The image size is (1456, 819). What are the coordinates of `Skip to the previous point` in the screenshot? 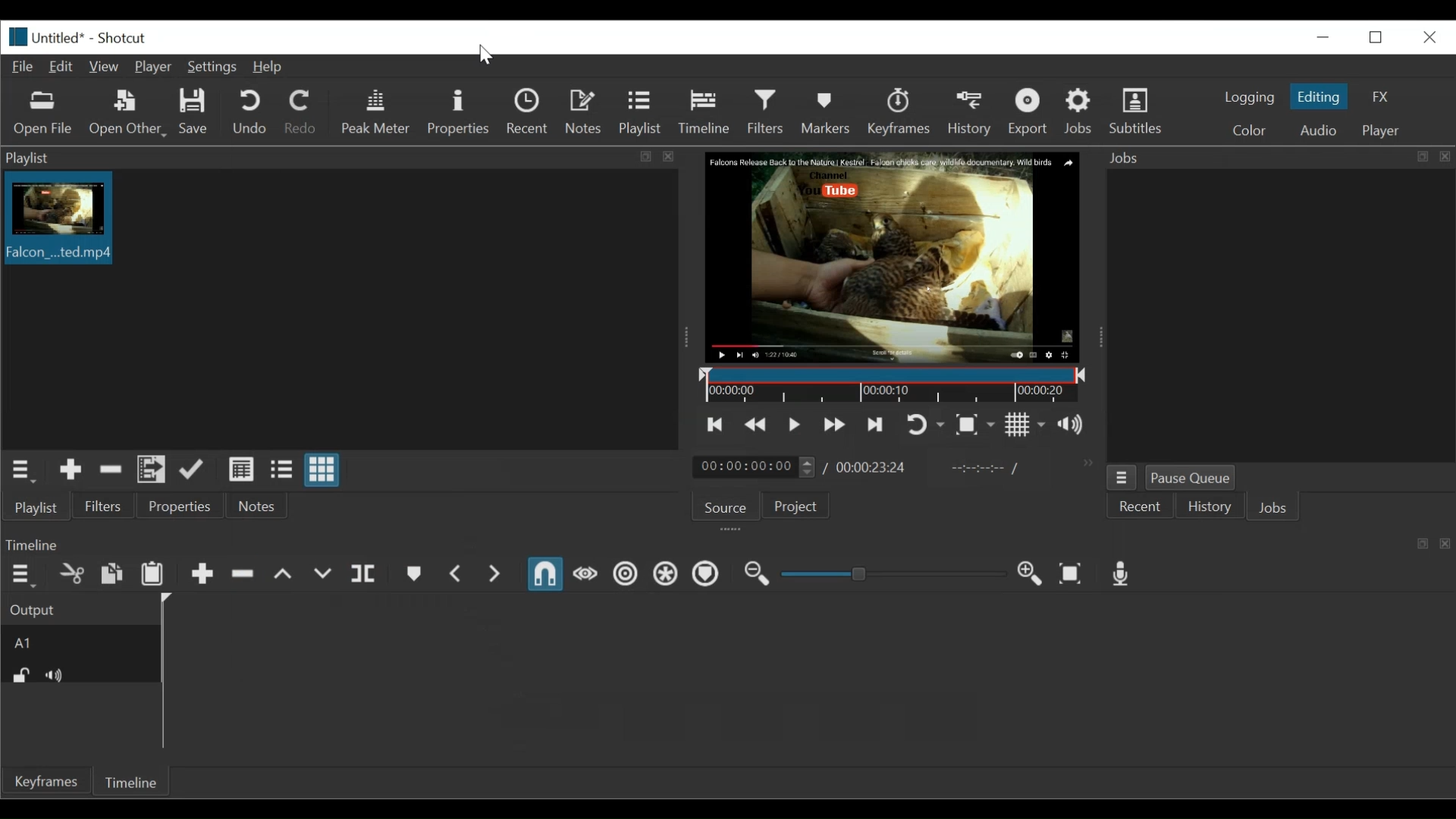 It's located at (717, 425).